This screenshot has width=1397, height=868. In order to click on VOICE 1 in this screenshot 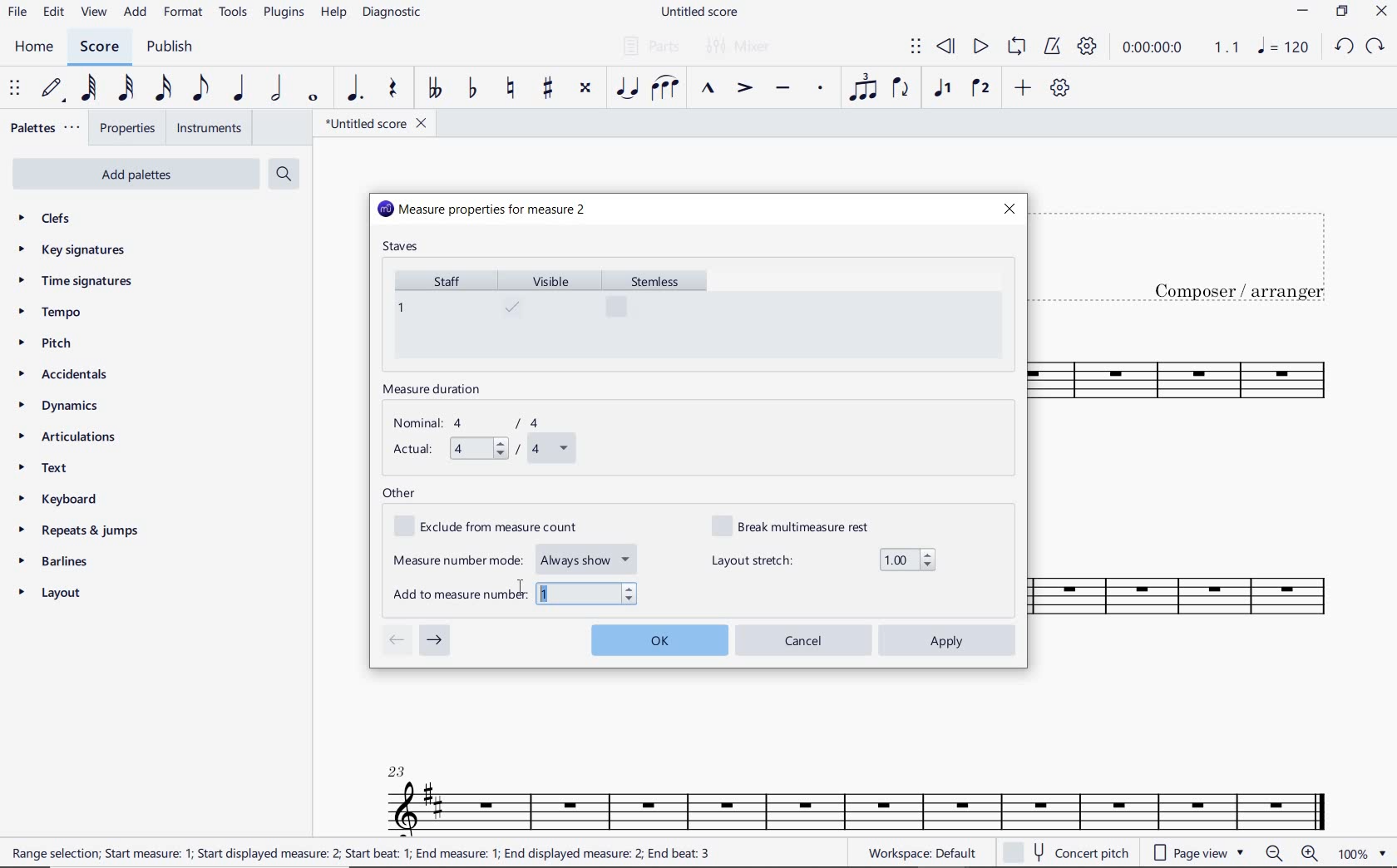, I will do `click(941, 89)`.